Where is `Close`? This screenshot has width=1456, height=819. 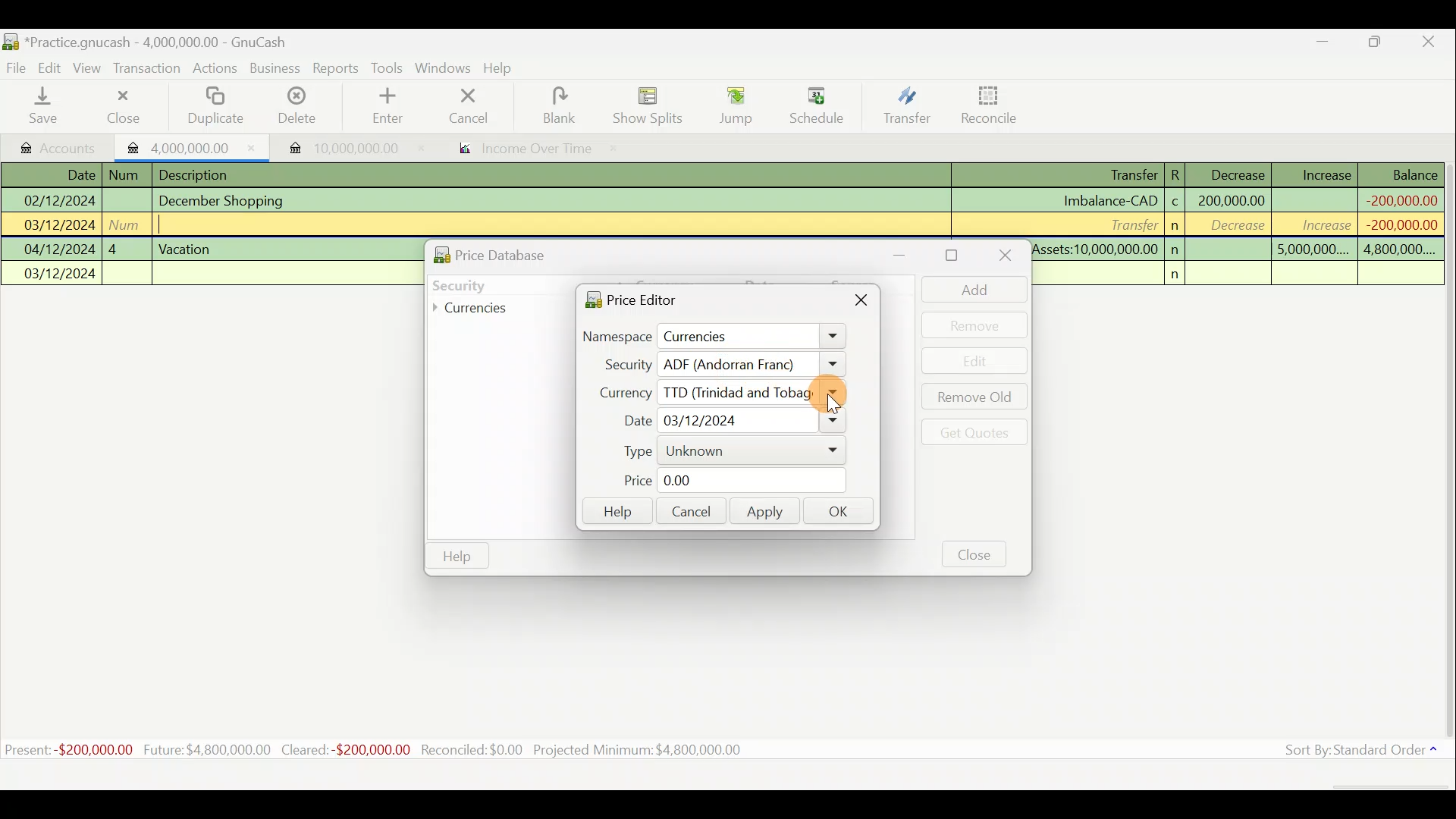
Close is located at coordinates (863, 303).